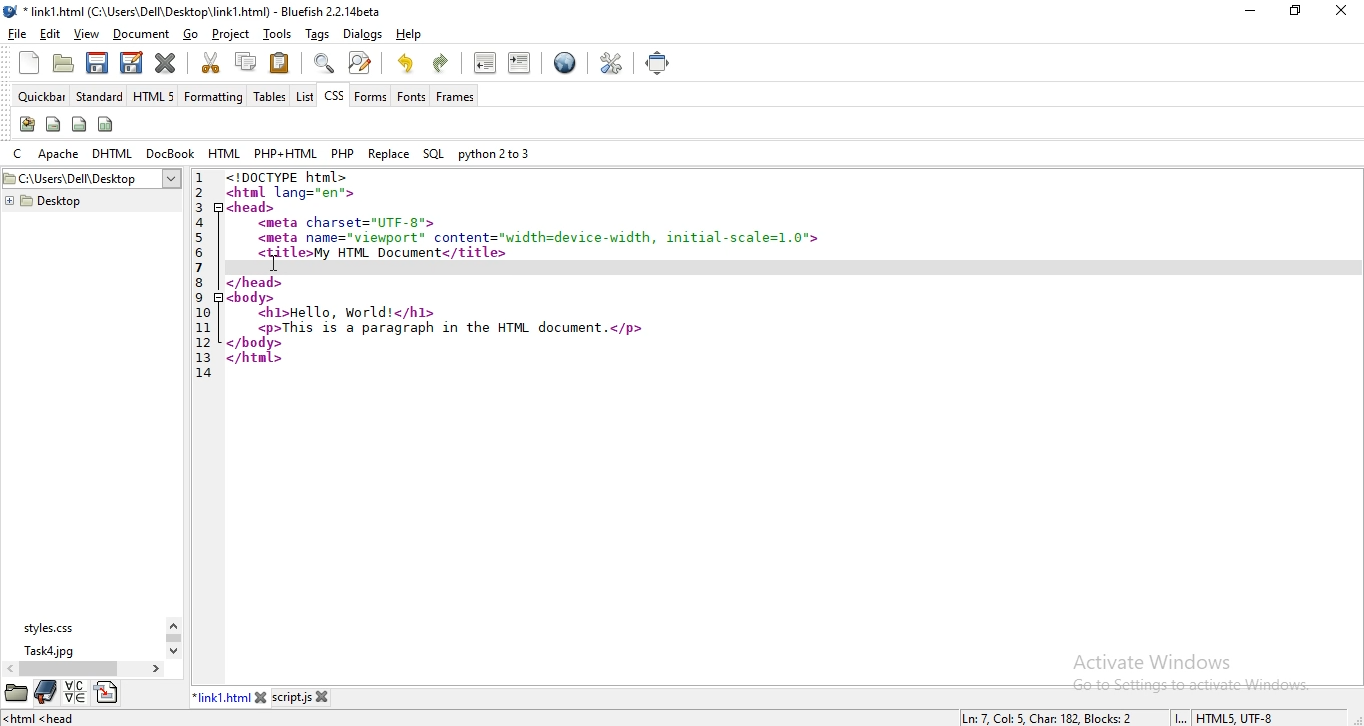 This screenshot has width=1364, height=726. Describe the element at coordinates (286, 152) in the screenshot. I see `php + html` at that location.